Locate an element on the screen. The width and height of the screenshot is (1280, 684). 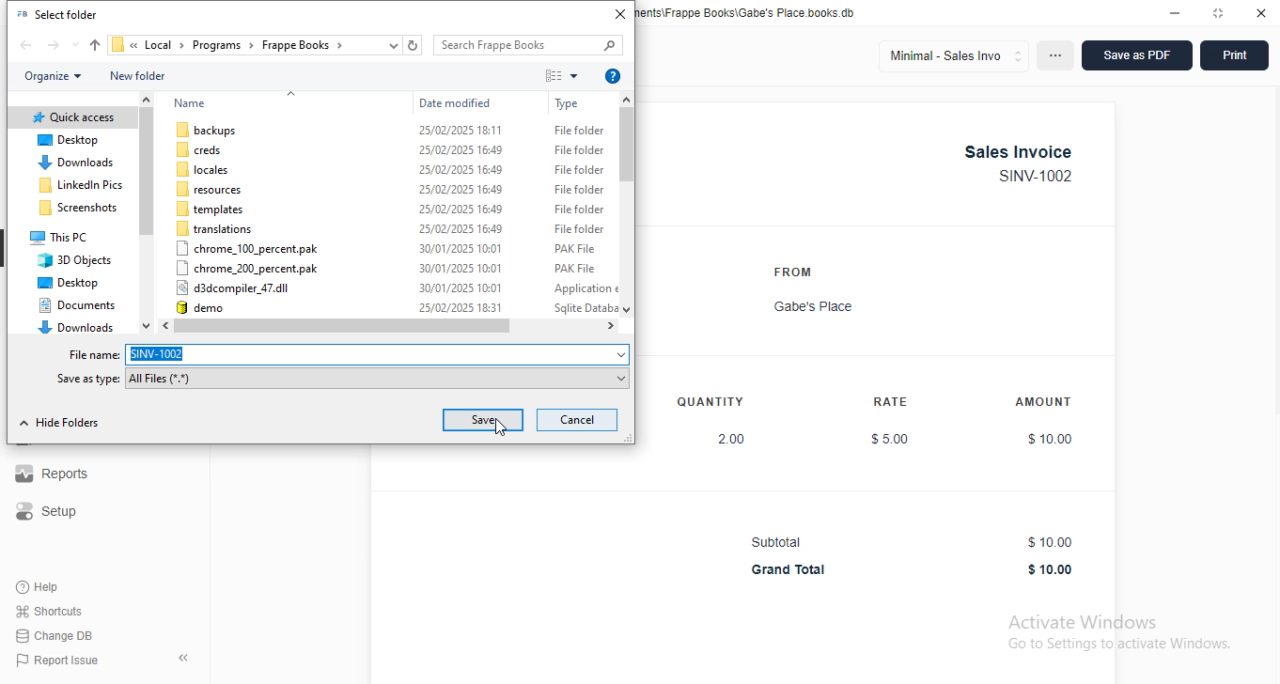
scroll bar is located at coordinates (346, 326).